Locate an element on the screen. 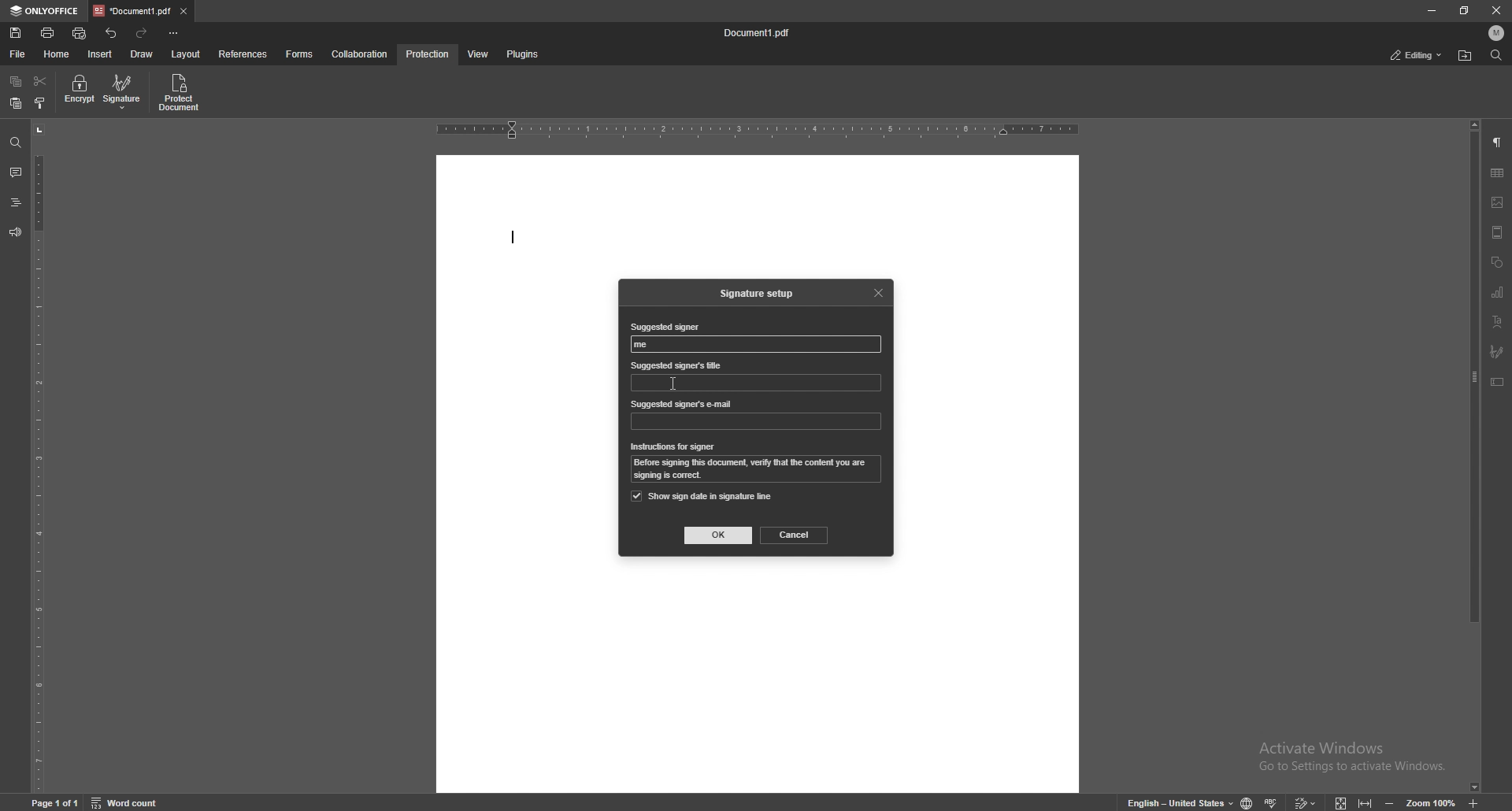  signature is located at coordinates (124, 91).